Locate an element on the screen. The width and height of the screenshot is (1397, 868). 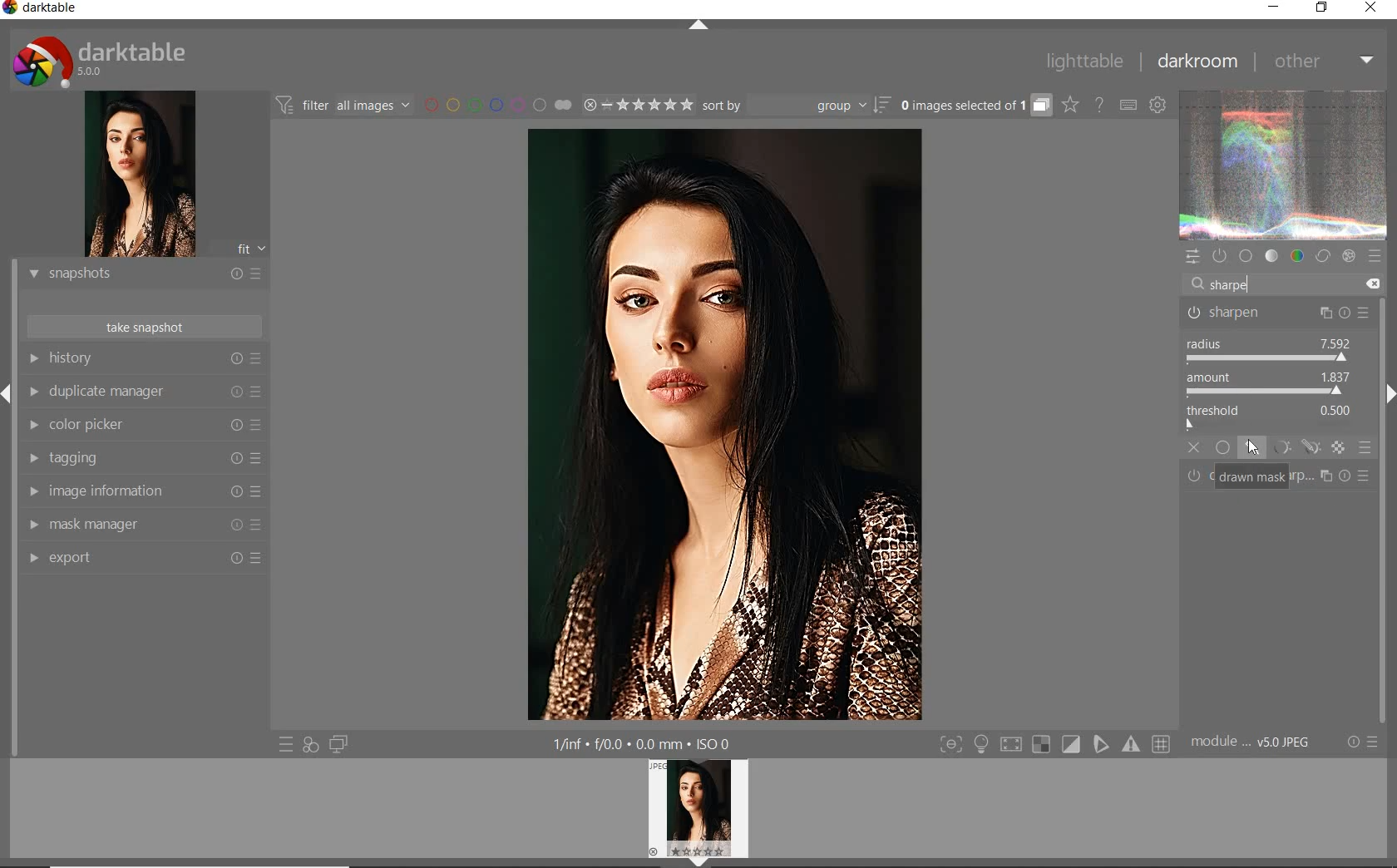
set keyboard shortcuts is located at coordinates (1127, 106).